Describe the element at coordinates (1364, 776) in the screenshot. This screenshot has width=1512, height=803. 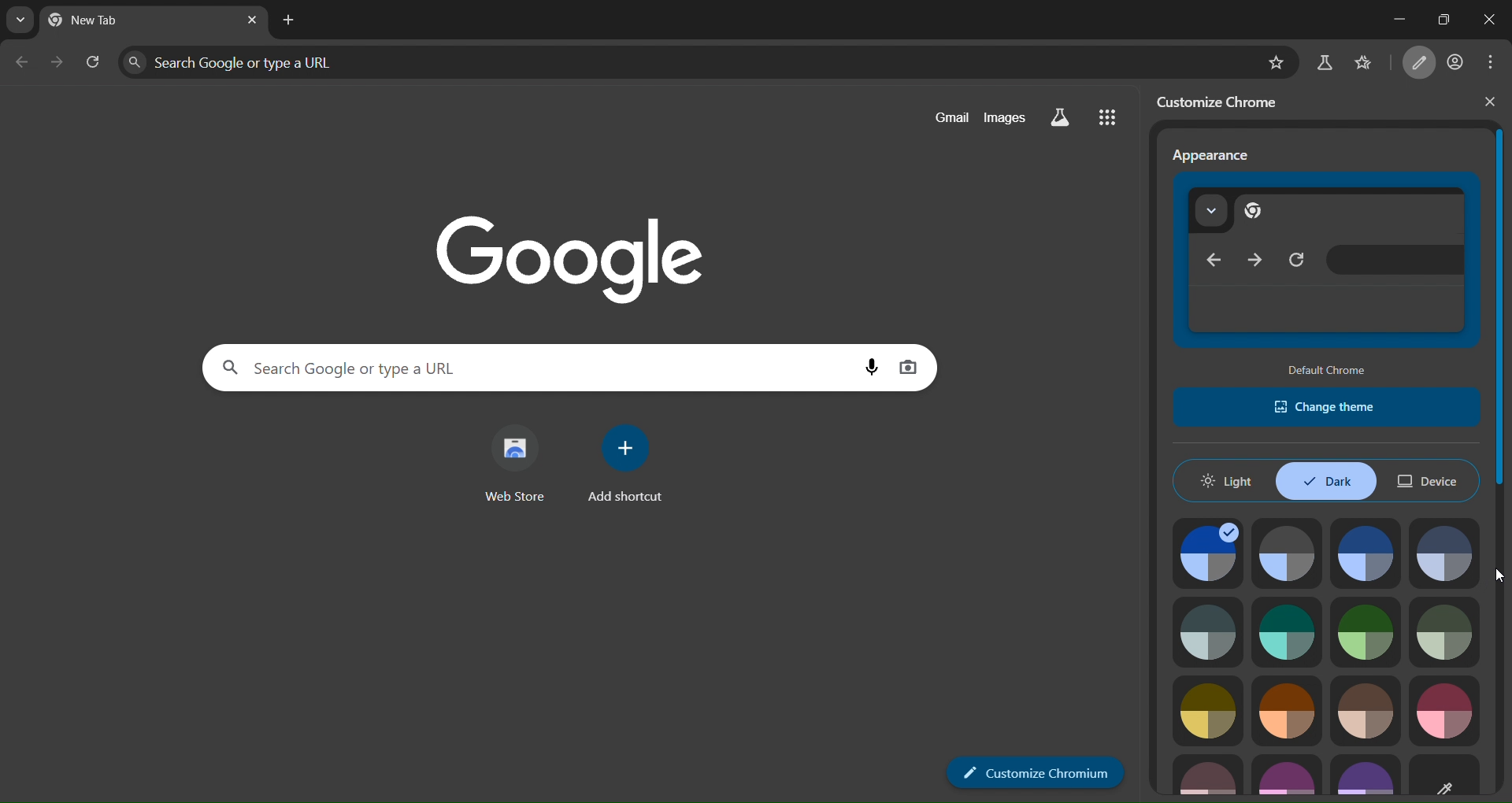
I see `image` at that location.